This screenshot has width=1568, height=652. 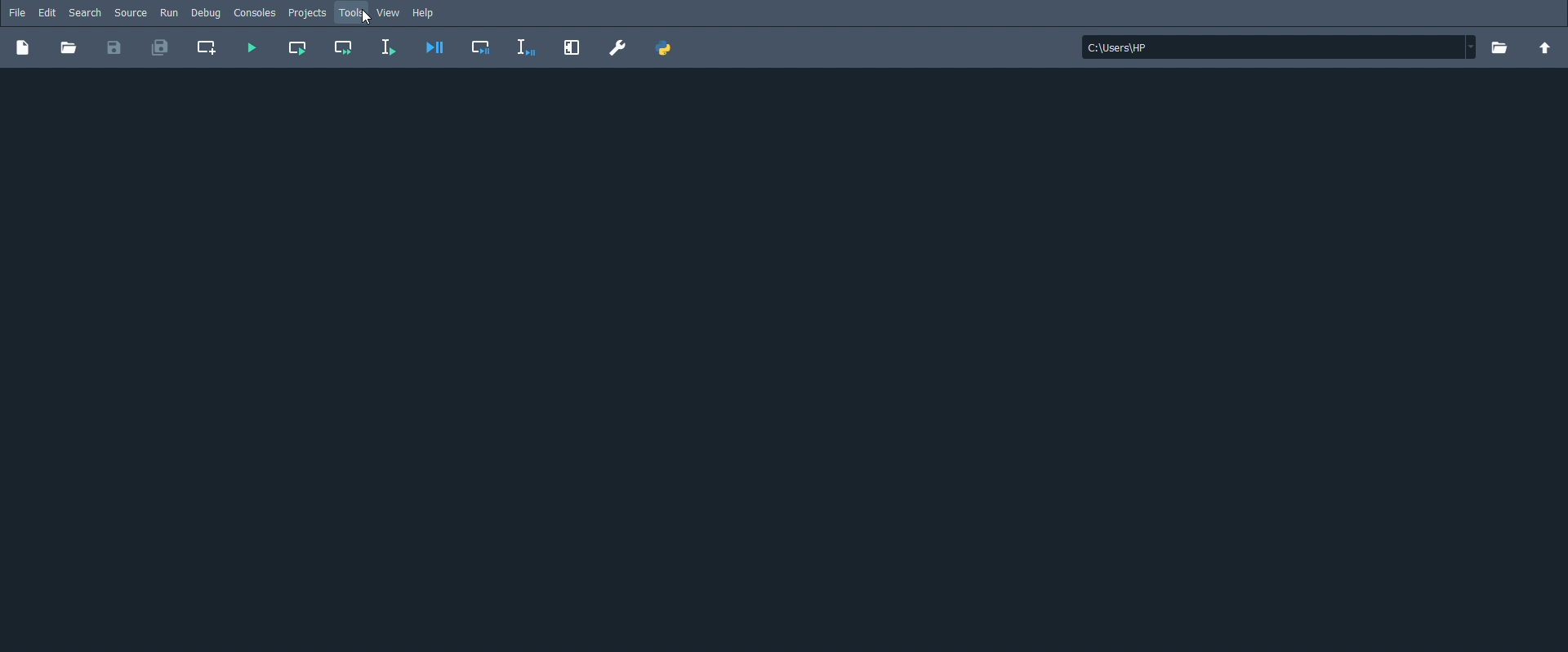 I want to click on Run current cell and go to the next one, so click(x=344, y=48).